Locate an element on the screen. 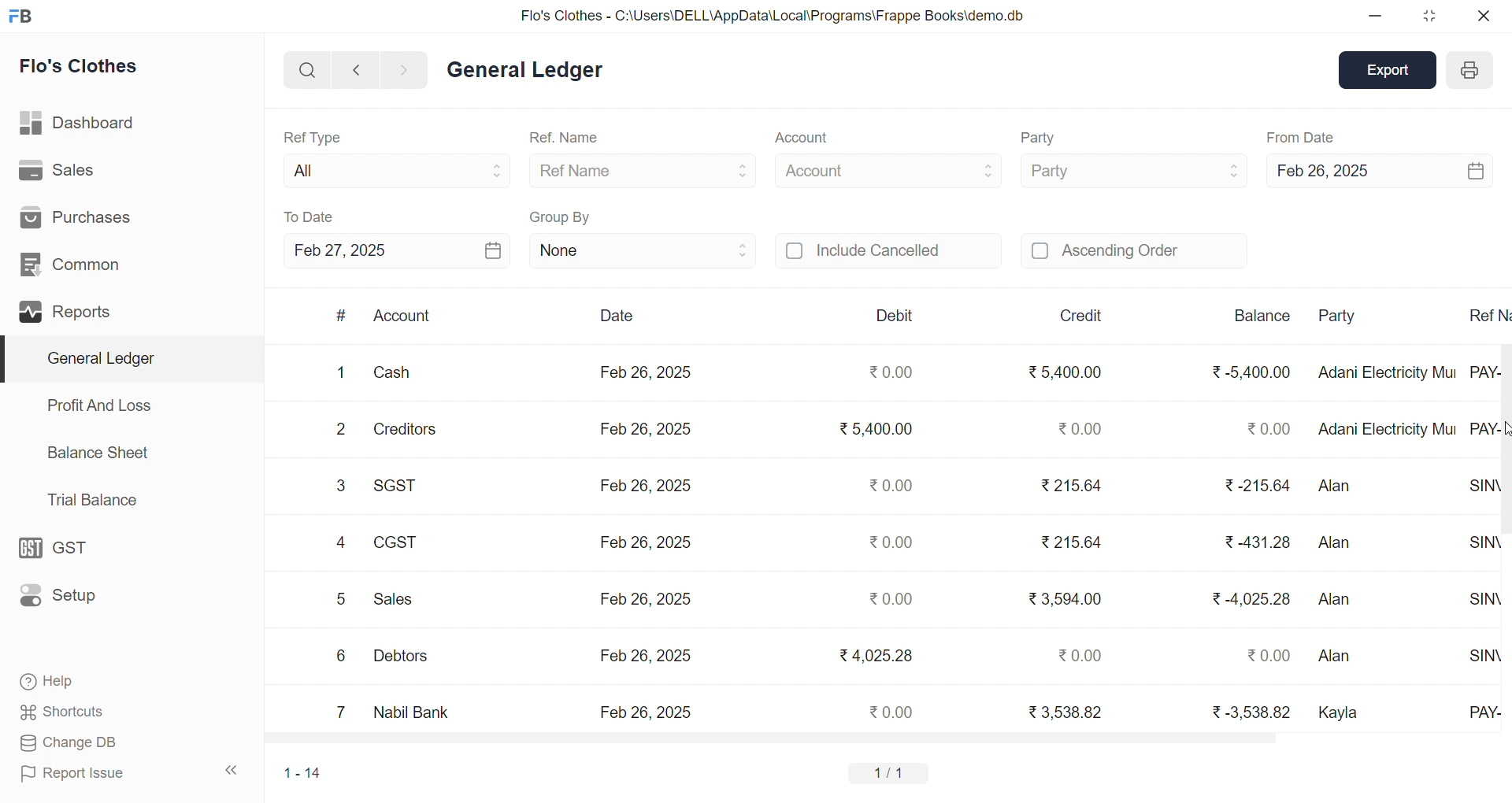  Include Cancelled is located at coordinates (888, 252).